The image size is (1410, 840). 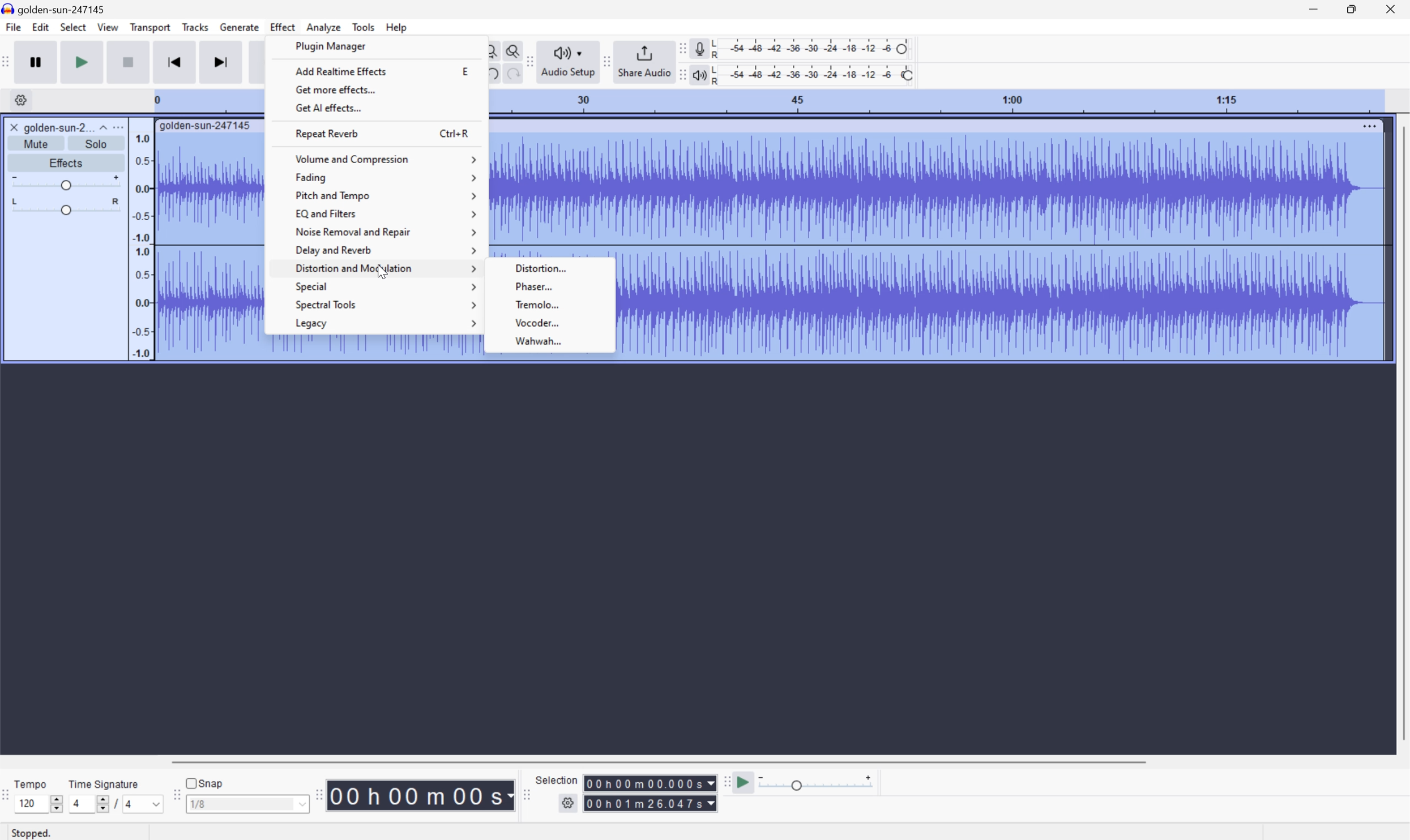 I want to click on 120, so click(x=33, y=804).